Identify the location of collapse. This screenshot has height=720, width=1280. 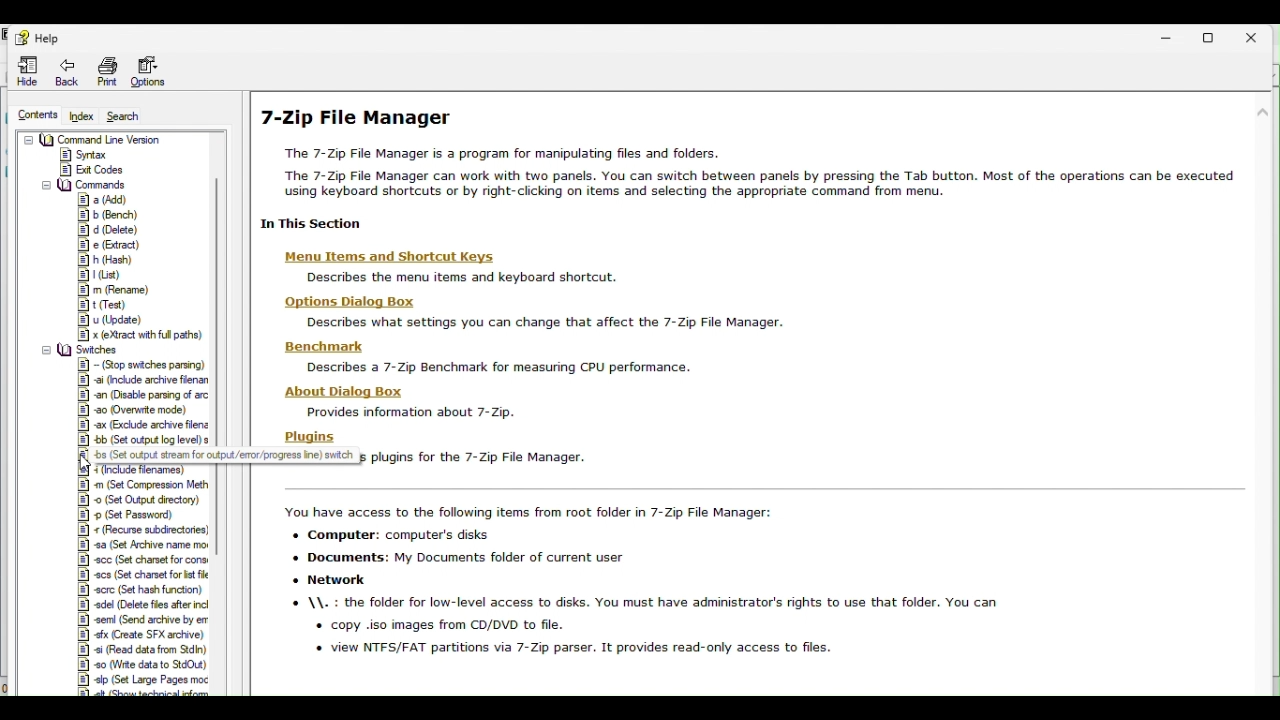
(27, 141).